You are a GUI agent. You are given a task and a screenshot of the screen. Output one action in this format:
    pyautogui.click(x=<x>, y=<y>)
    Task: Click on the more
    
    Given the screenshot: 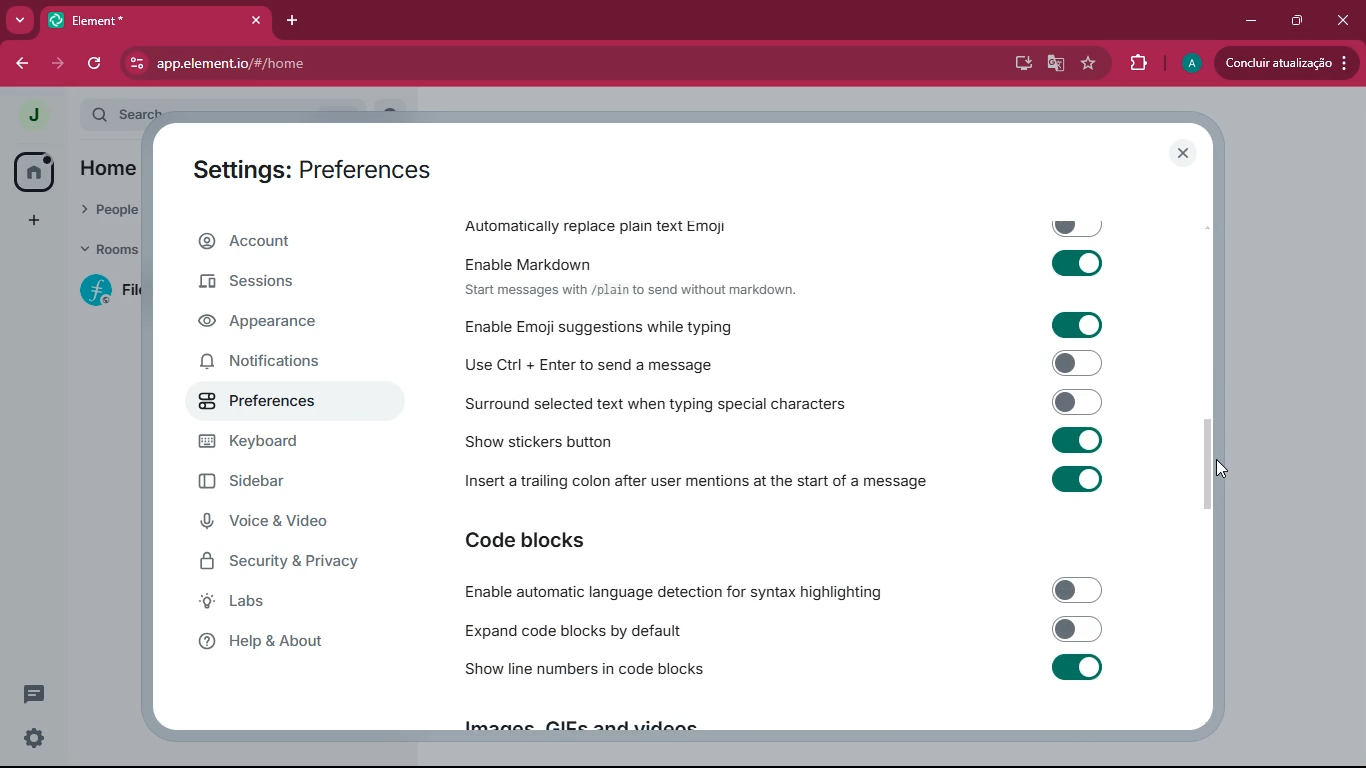 What is the action you would take?
    pyautogui.click(x=21, y=20)
    